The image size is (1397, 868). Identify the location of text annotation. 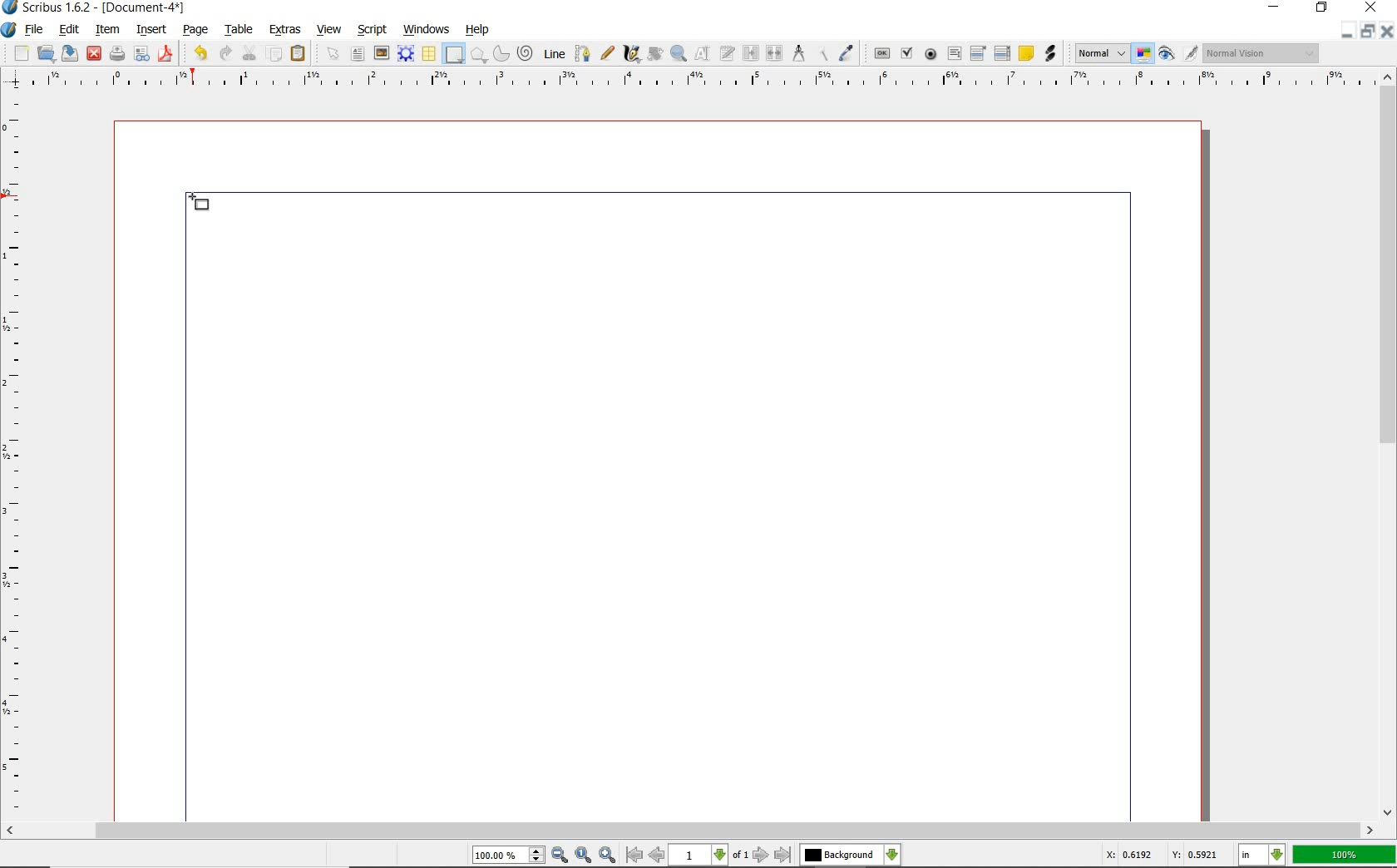
(1026, 53).